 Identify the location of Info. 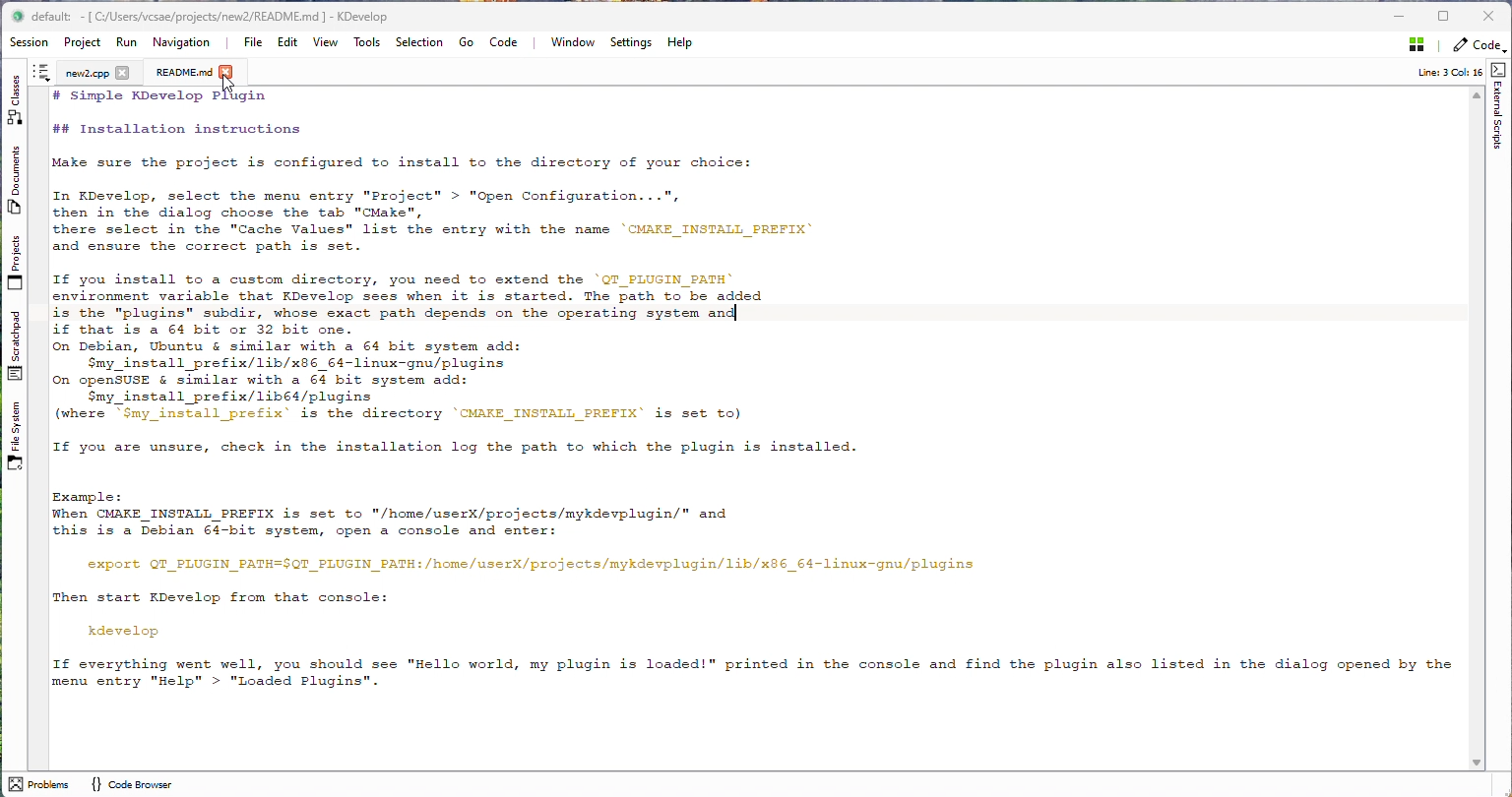
(1446, 71).